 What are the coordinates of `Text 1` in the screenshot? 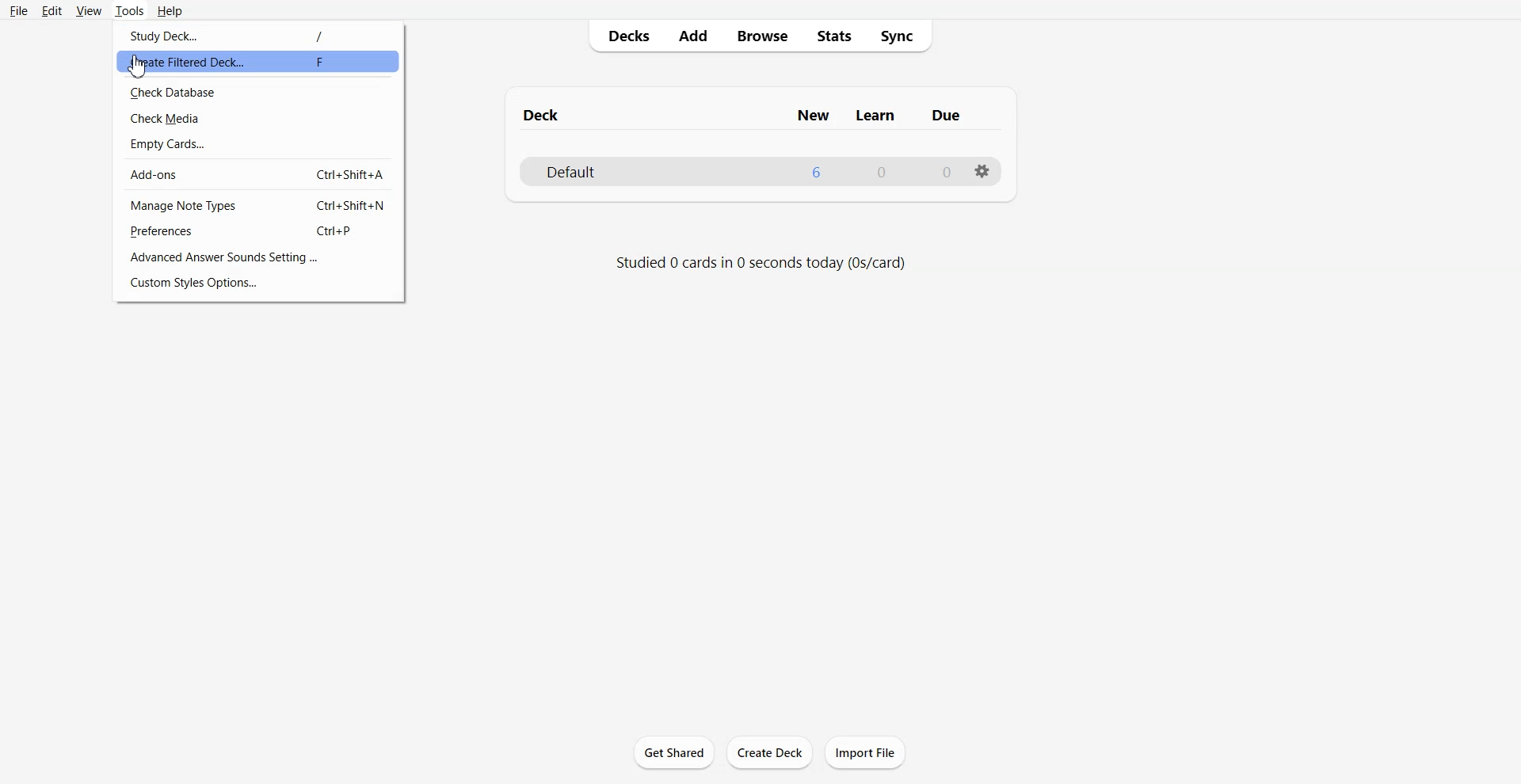 It's located at (740, 113).